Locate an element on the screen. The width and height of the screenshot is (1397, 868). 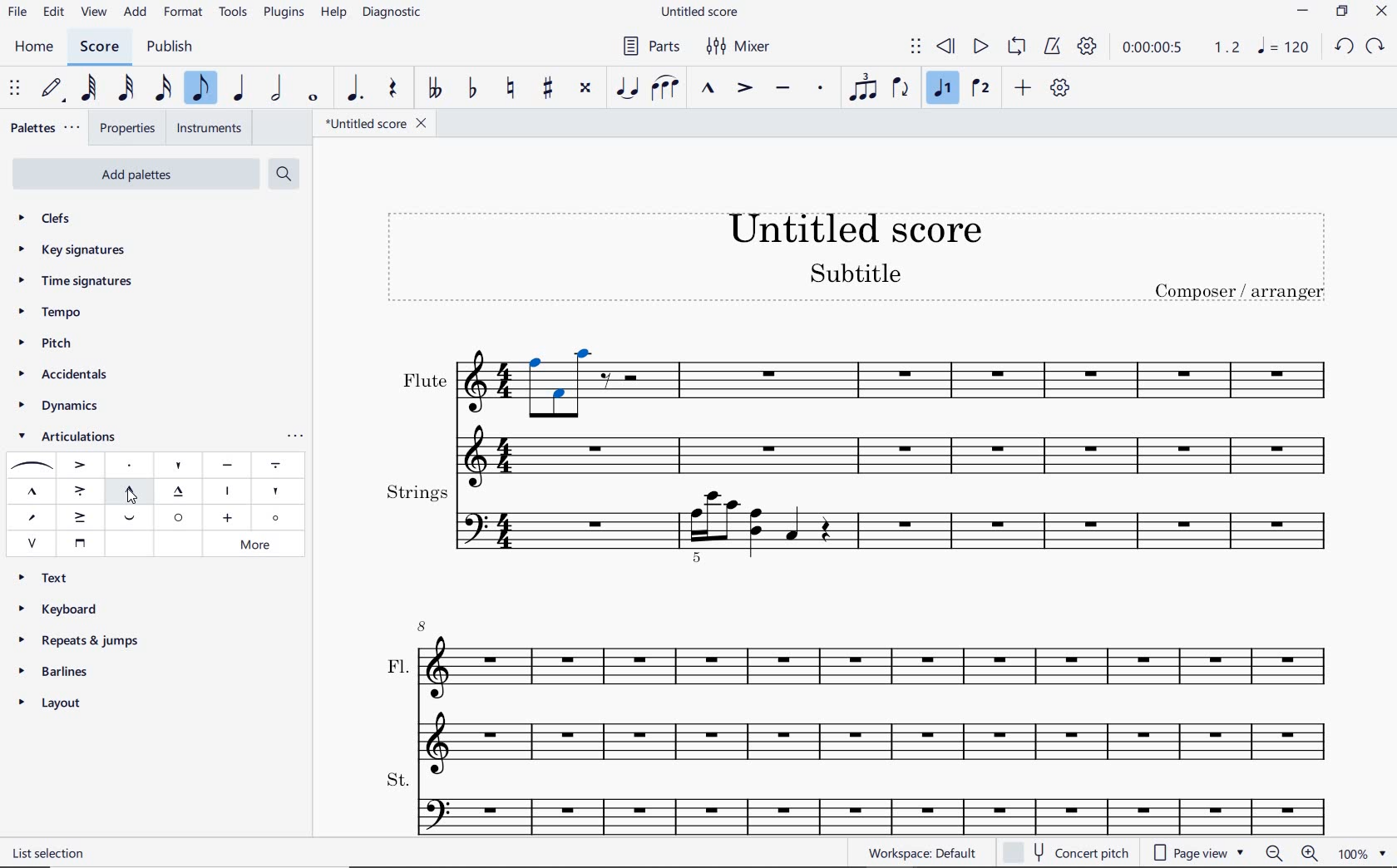
MARCATO-TENUTO ABOVE is located at coordinates (180, 492).